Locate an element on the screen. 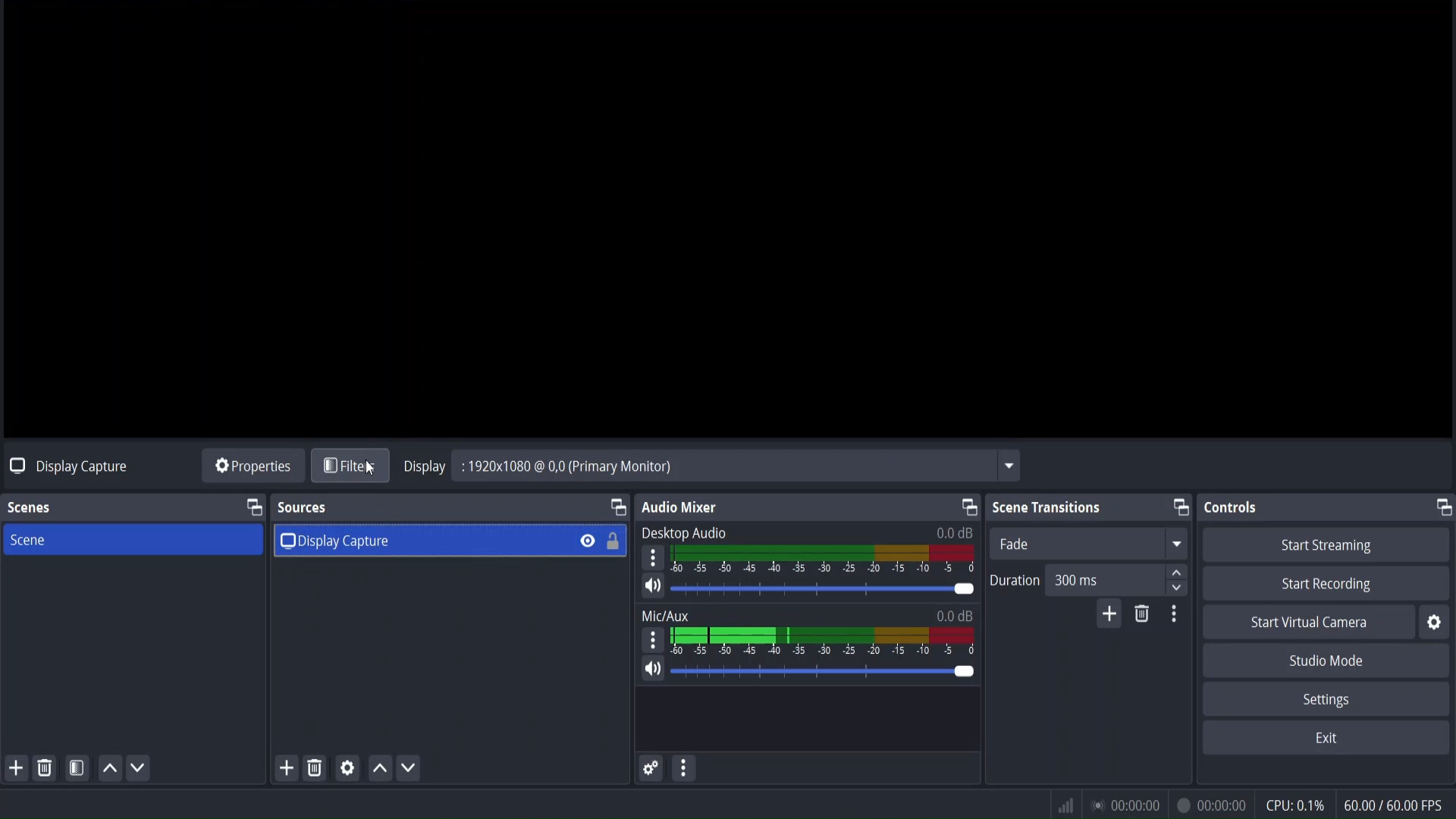  add source is located at coordinates (284, 770).